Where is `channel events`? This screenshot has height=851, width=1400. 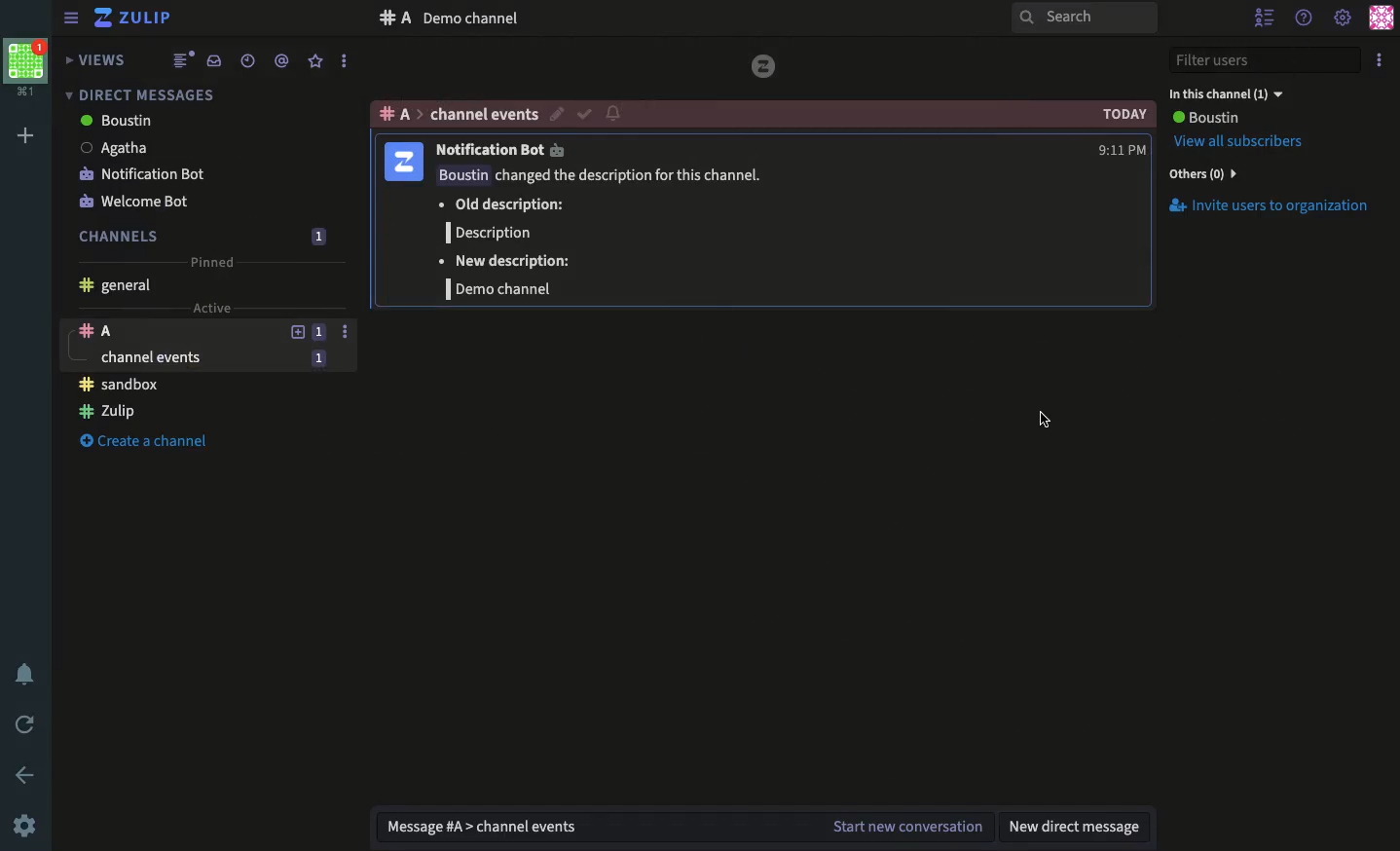 channel events is located at coordinates (183, 358).